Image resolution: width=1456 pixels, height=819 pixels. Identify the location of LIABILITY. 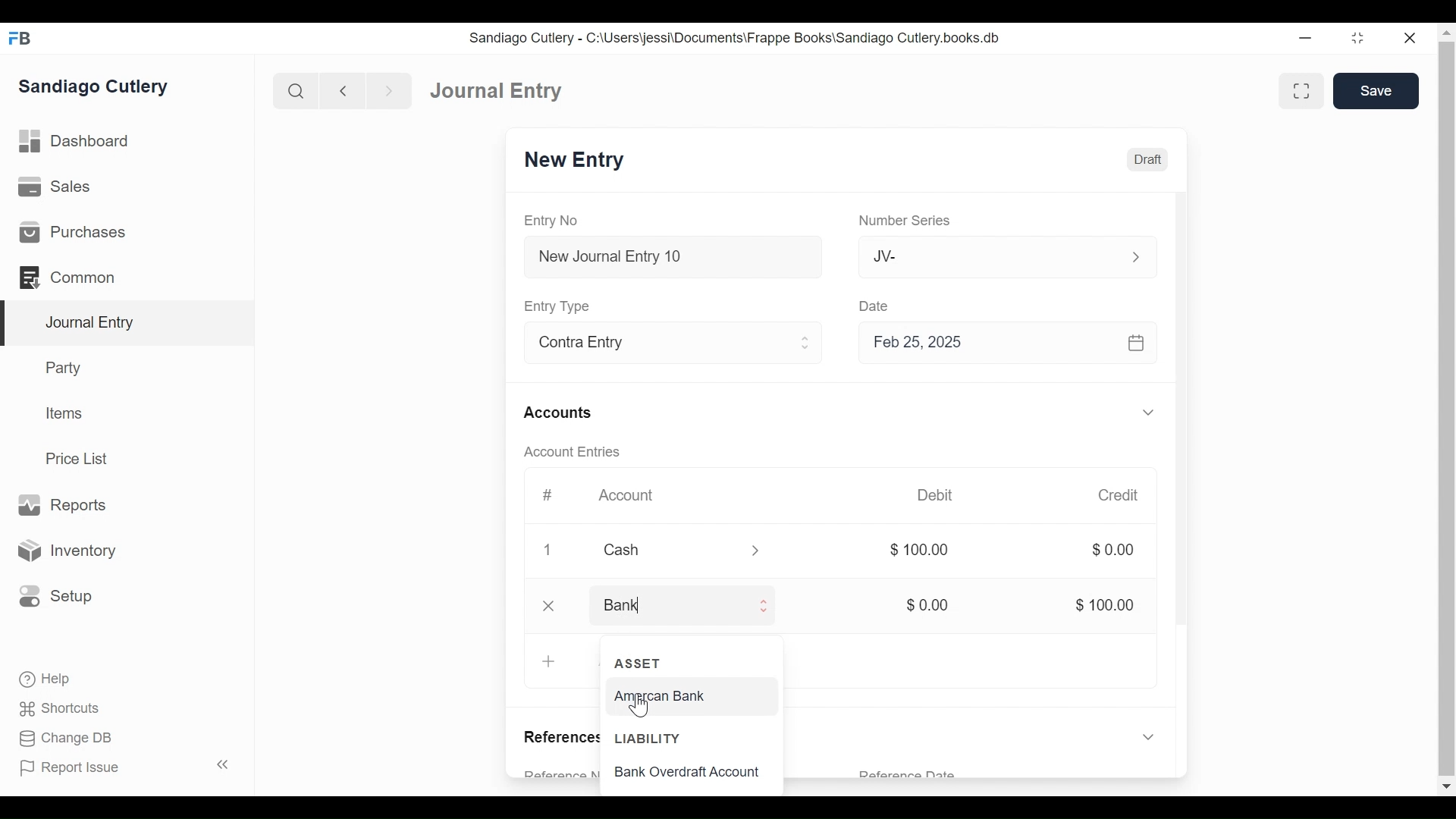
(648, 739).